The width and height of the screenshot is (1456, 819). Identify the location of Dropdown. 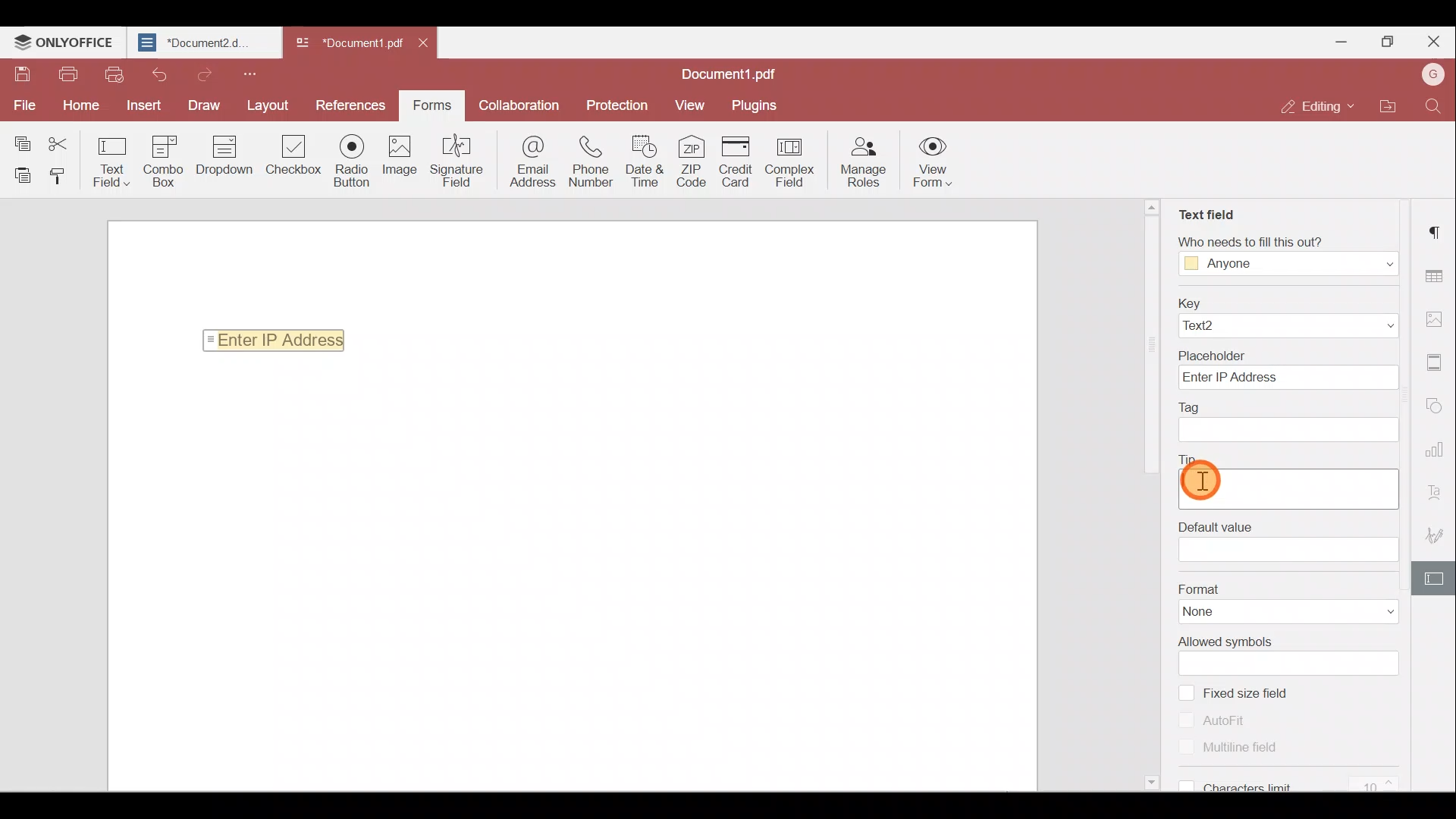
(1359, 326).